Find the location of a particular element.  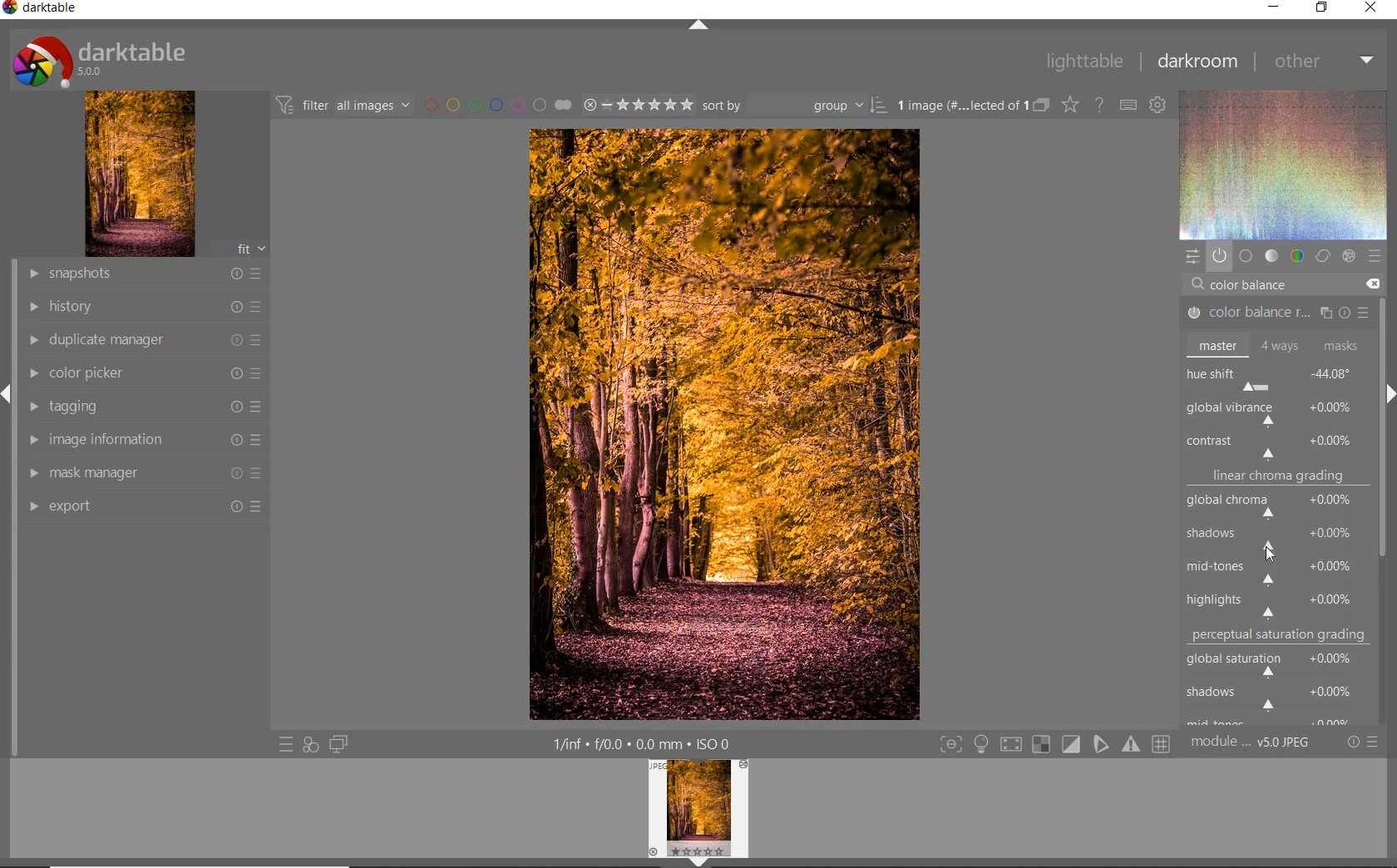

snapshots is located at coordinates (147, 274).